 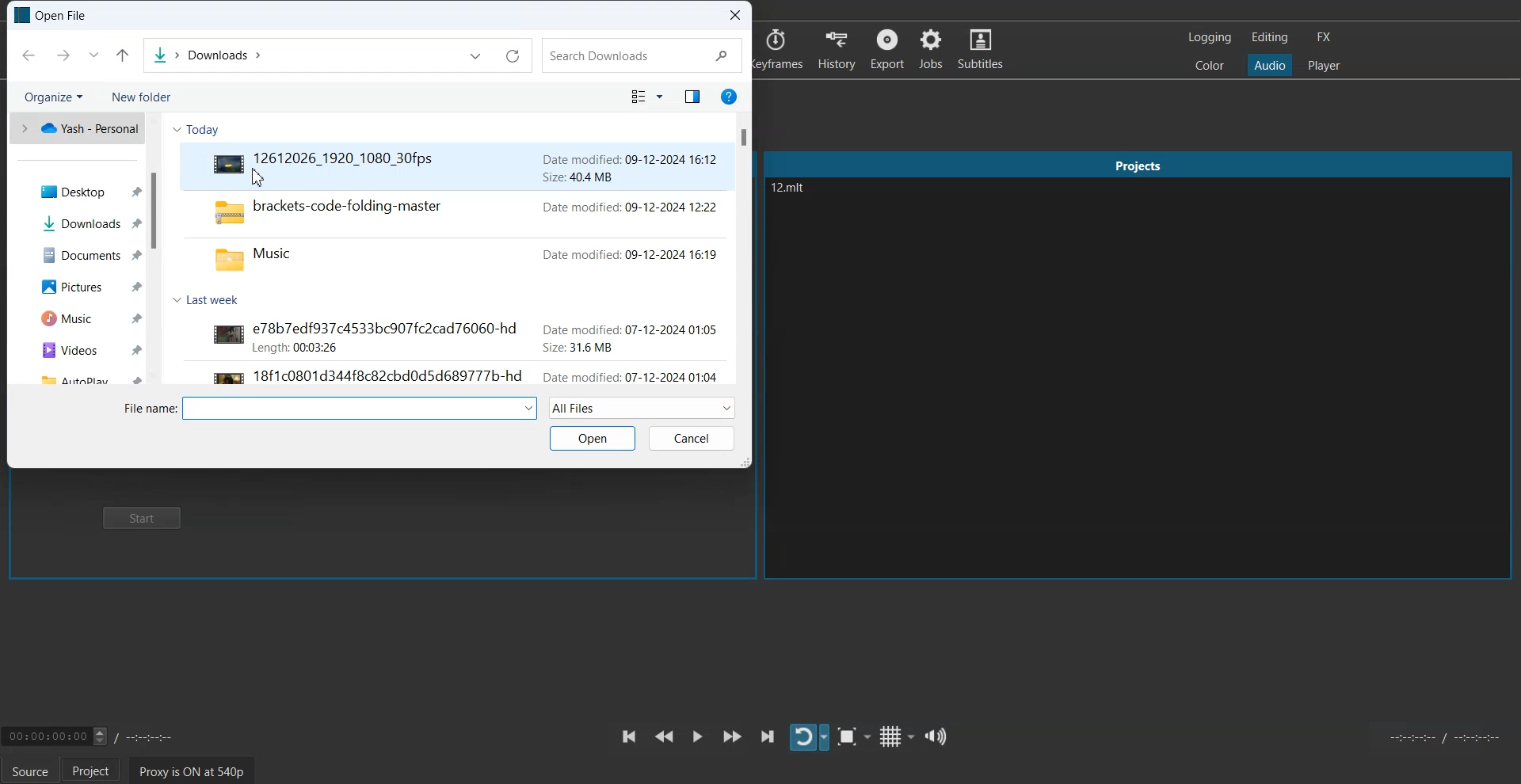 I want to click on Go forward, so click(x=60, y=55).